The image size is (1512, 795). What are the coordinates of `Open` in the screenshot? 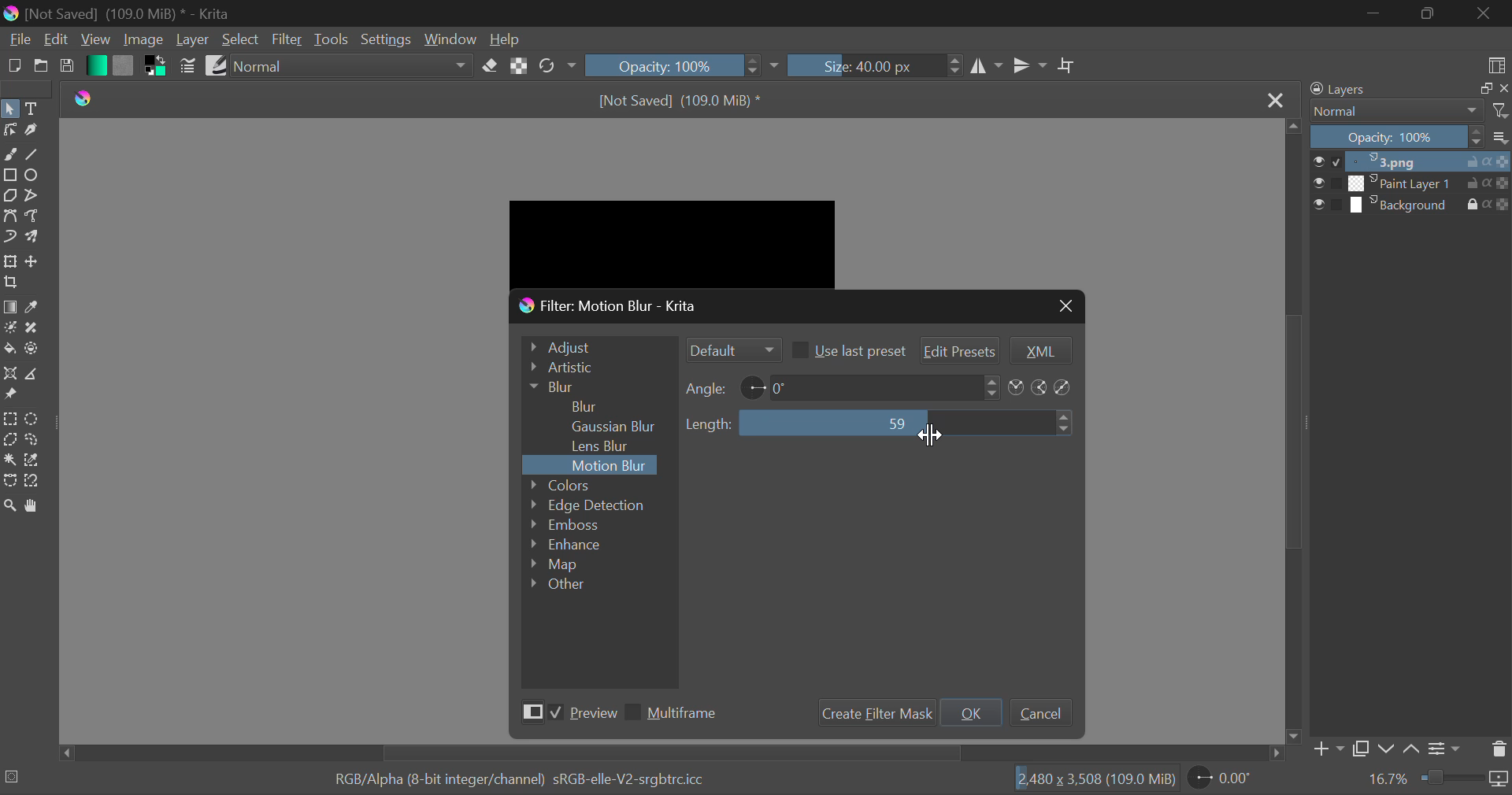 It's located at (39, 68).